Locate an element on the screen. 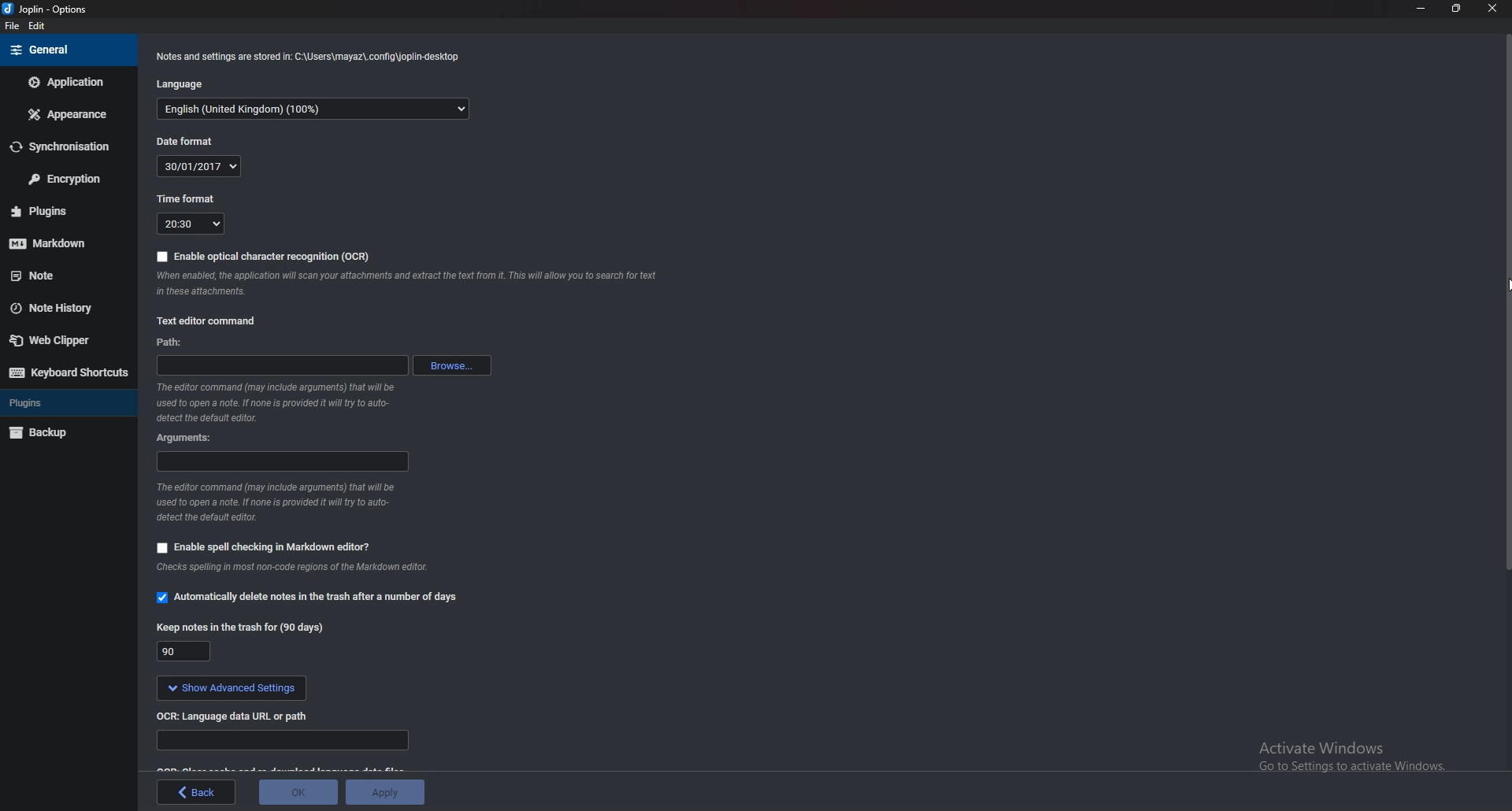 This screenshot has height=811, width=1512. o C R language data url or path is located at coordinates (232, 715).